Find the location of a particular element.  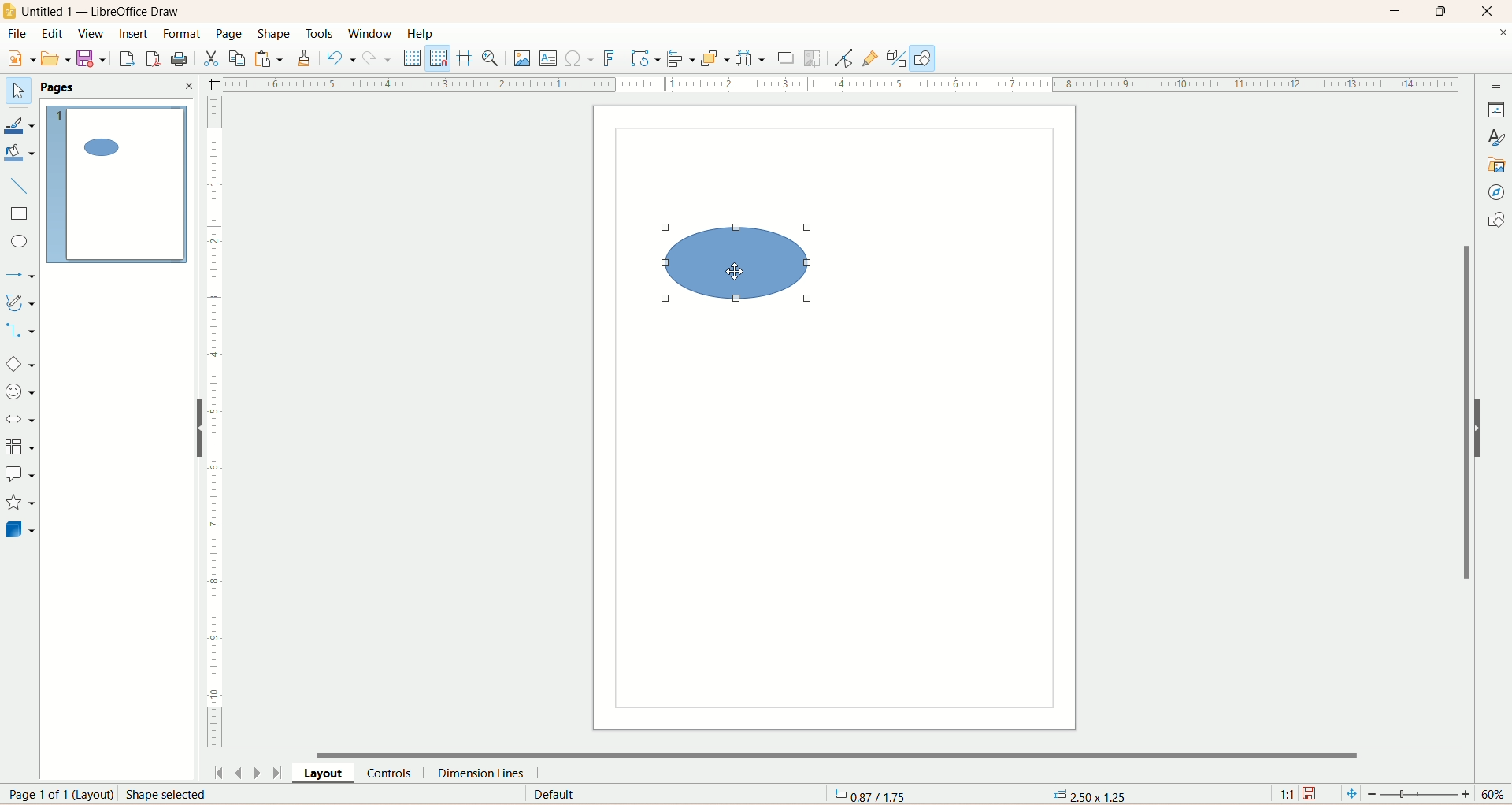

fill color is located at coordinates (20, 154).